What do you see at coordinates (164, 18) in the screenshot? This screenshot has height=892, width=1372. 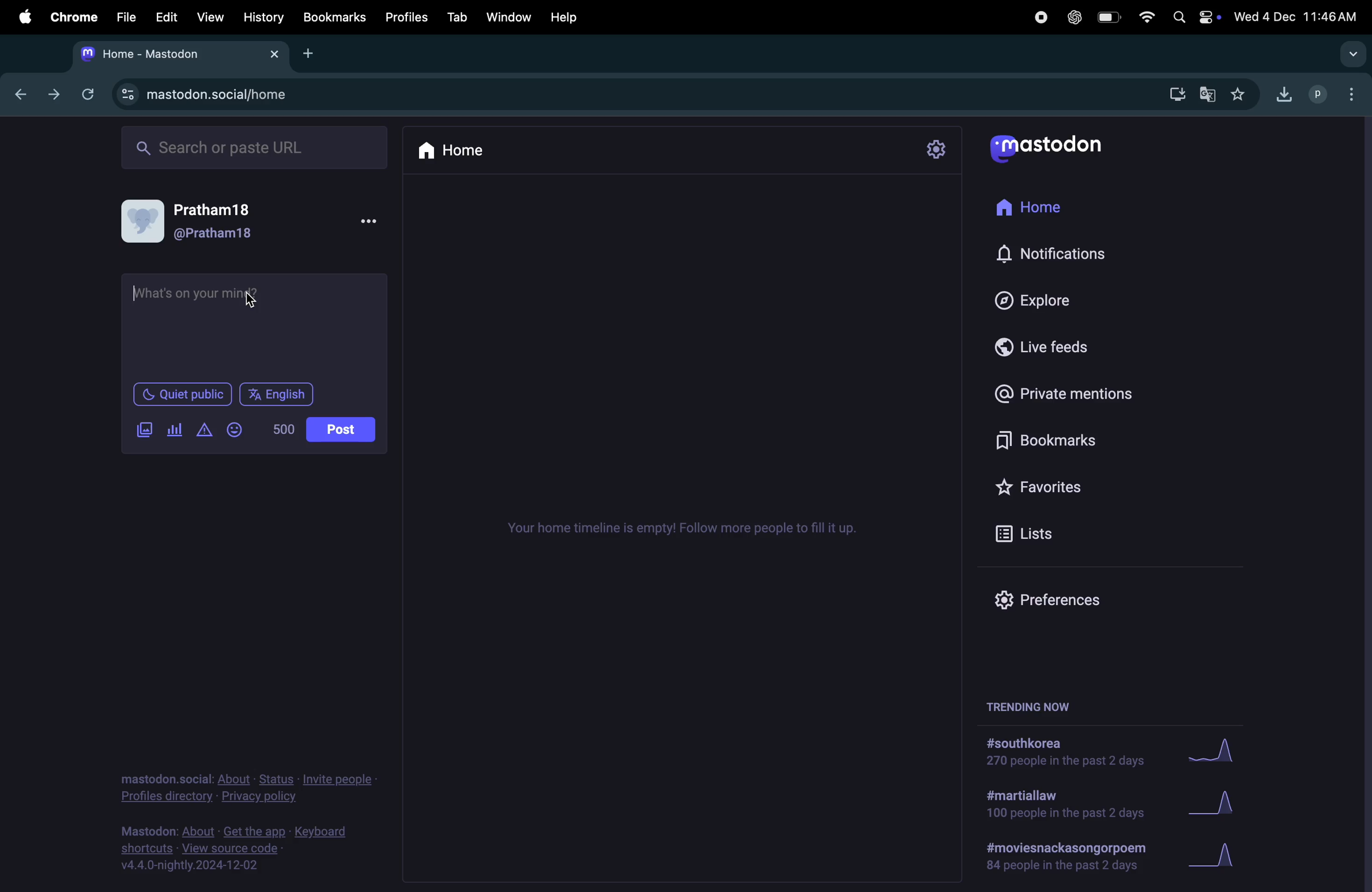 I see `Edit` at bounding box center [164, 18].